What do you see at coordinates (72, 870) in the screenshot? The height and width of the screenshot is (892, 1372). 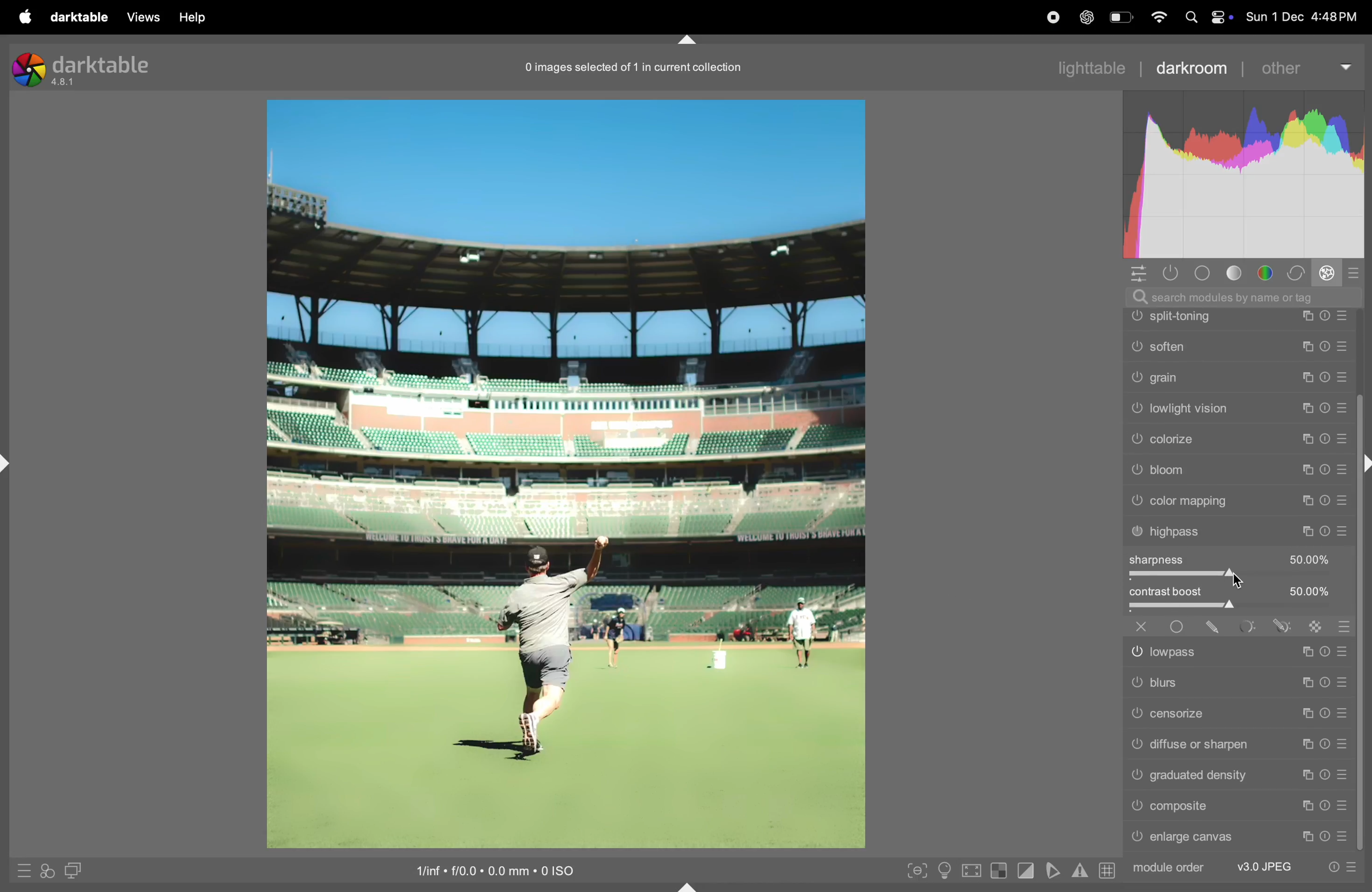 I see `display second darkroom image` at bounding box center [72, 870].